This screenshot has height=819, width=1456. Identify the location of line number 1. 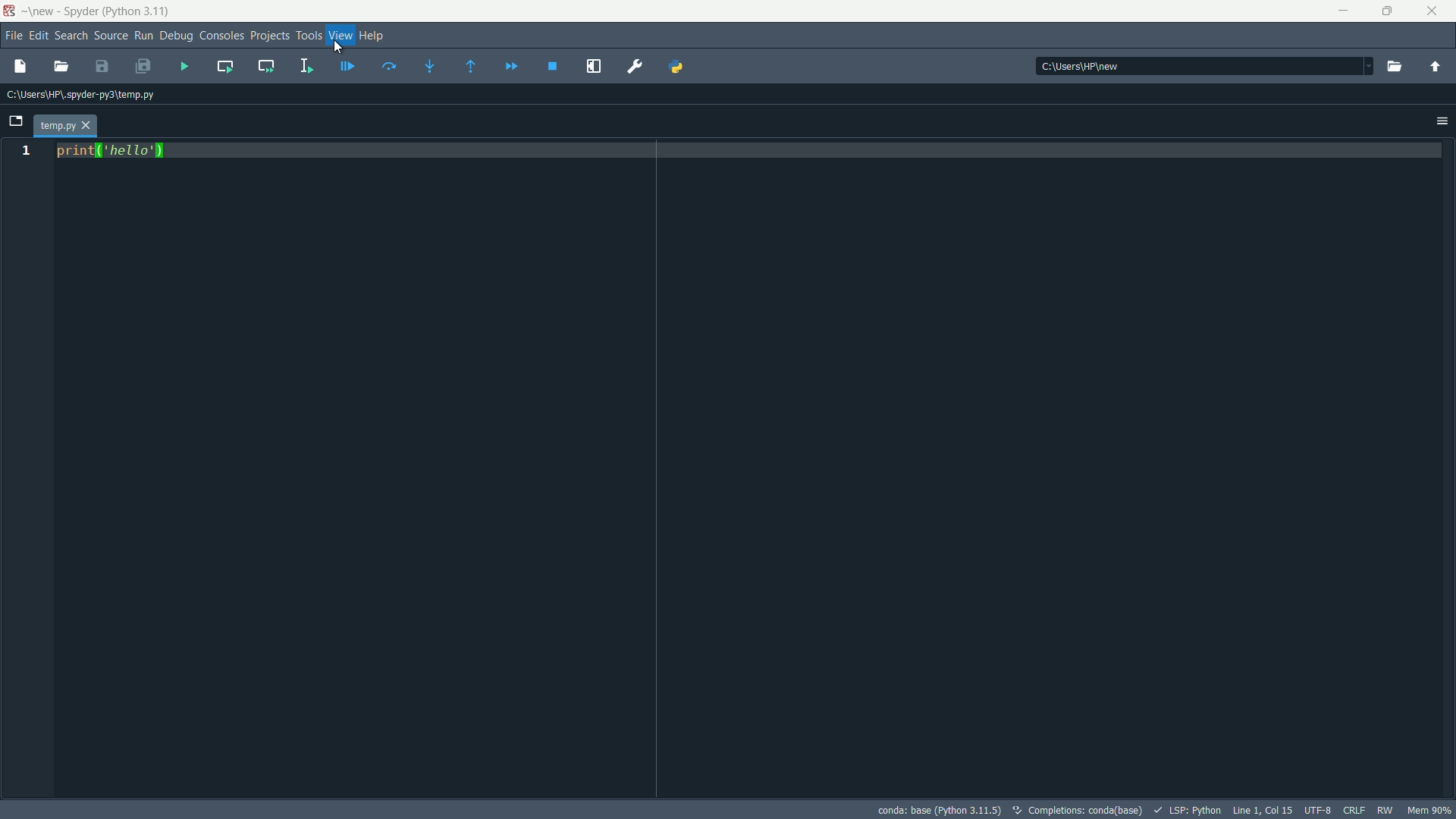
(24, 152).